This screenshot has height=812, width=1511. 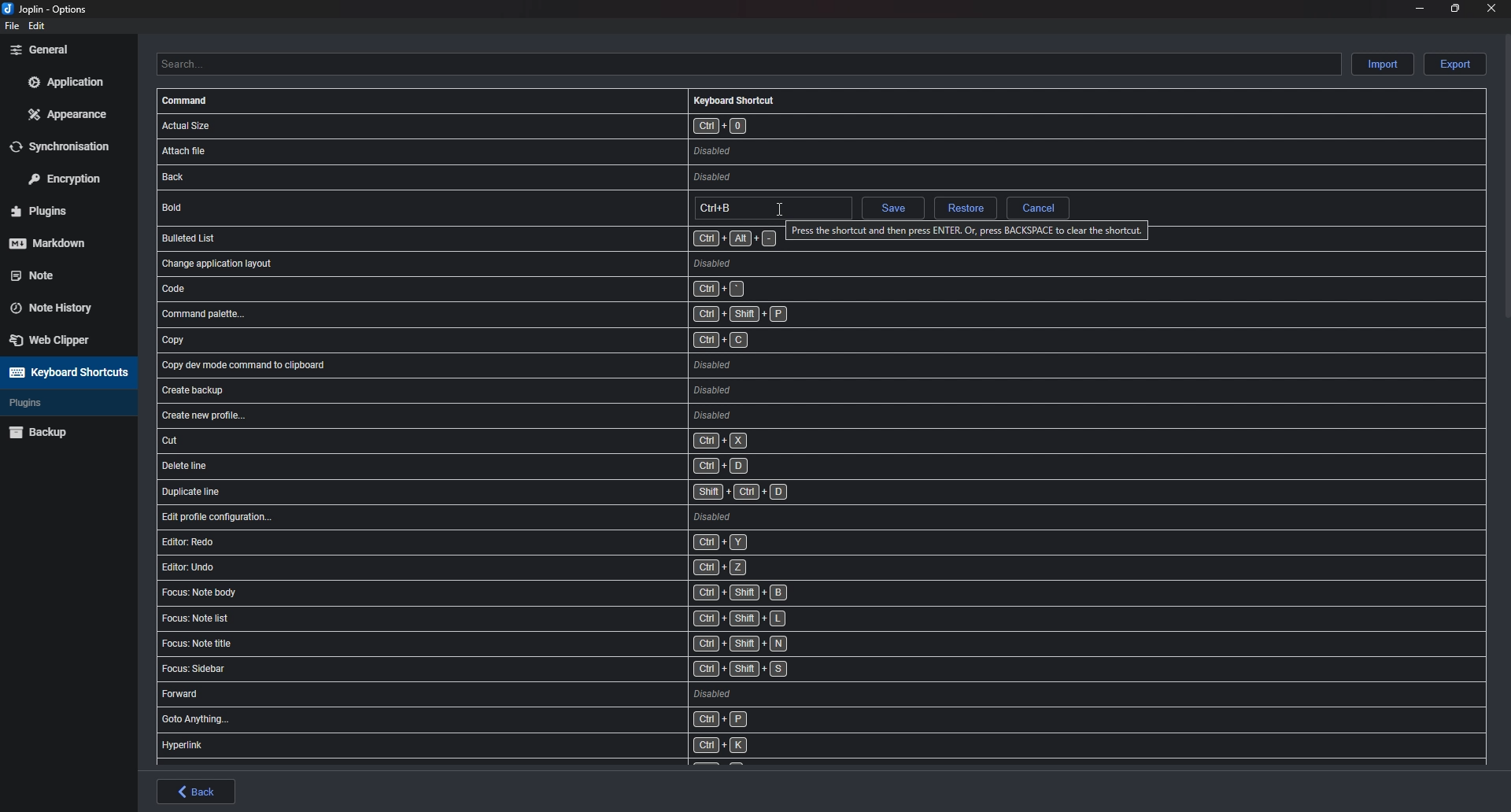 I want to click on cursor, so click(x=779, y=211).